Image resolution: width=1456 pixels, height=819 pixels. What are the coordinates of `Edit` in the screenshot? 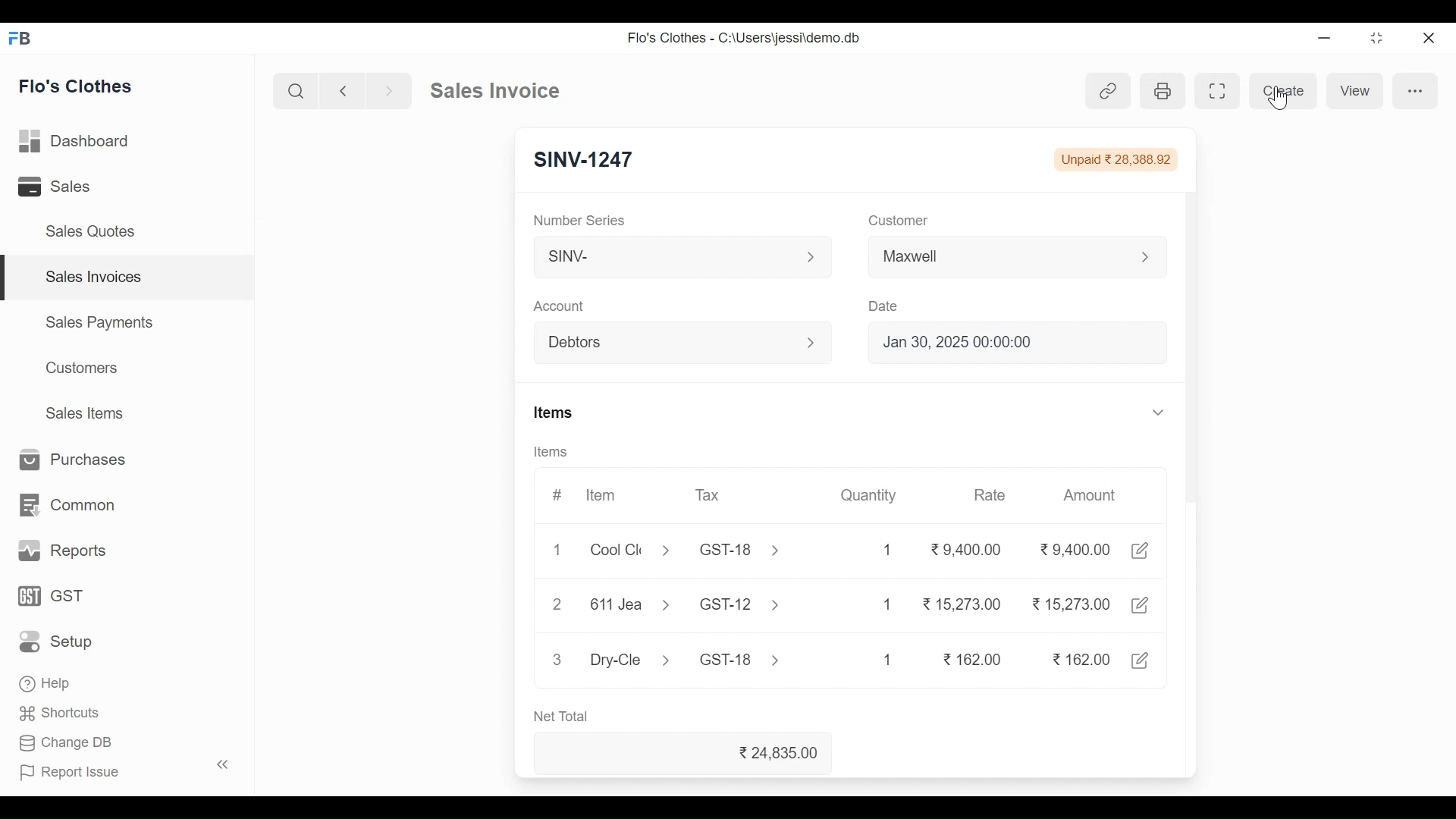 It's located at (1143, 660).